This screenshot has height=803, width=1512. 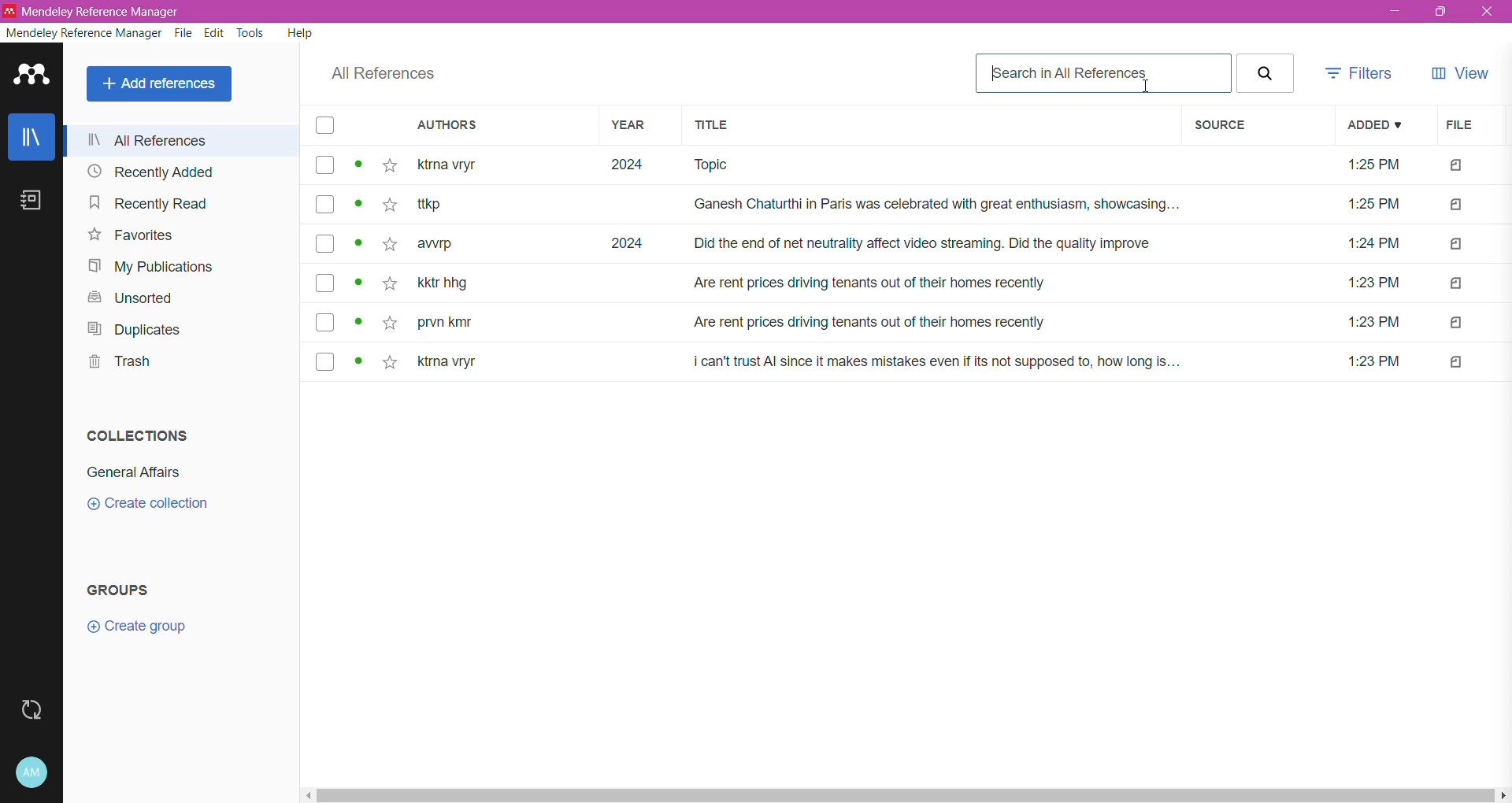 I want to click on select file, so click(x=322, y=166).